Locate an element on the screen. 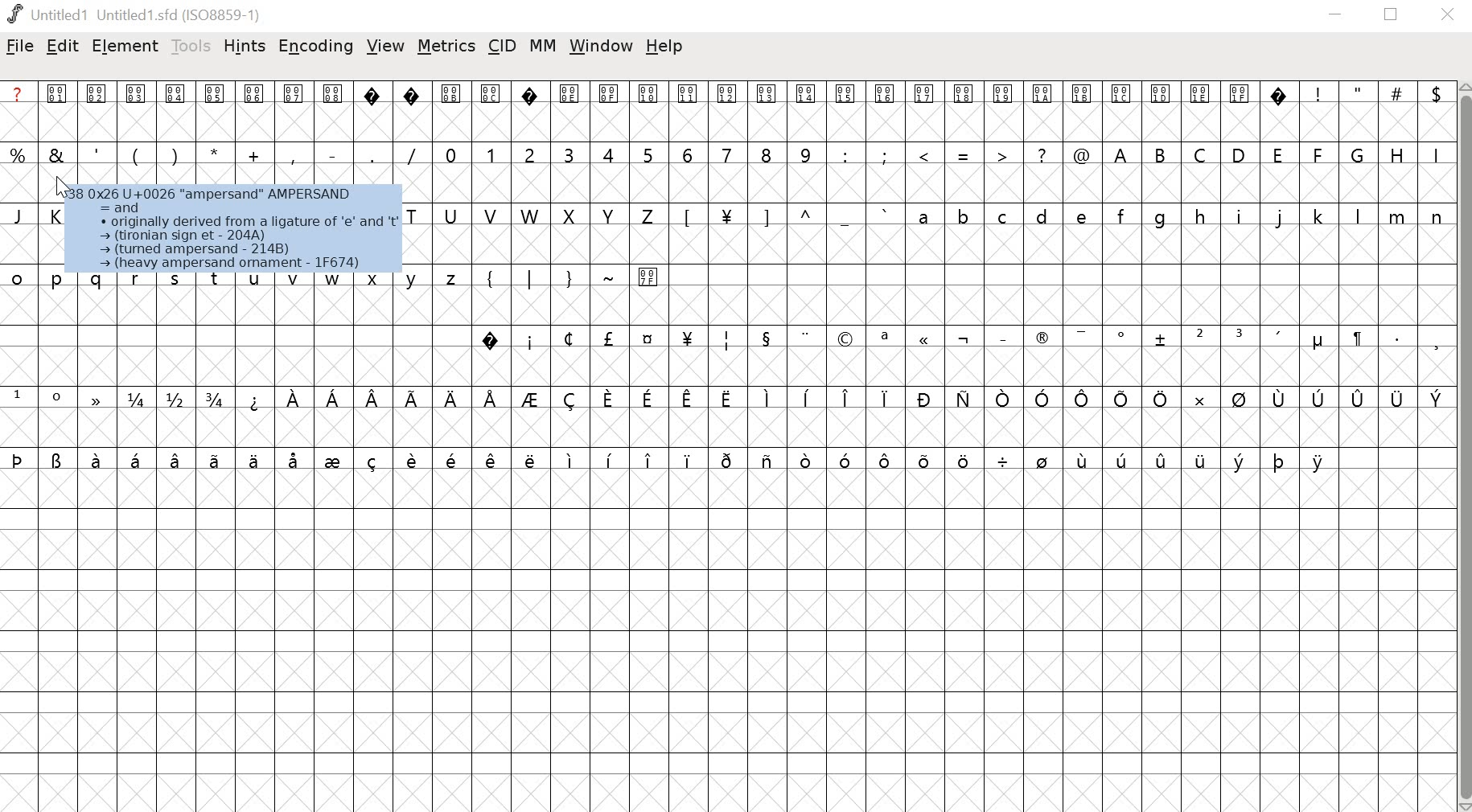 The image size is (1472, 812). symbol is located at coordinates (296, 459).